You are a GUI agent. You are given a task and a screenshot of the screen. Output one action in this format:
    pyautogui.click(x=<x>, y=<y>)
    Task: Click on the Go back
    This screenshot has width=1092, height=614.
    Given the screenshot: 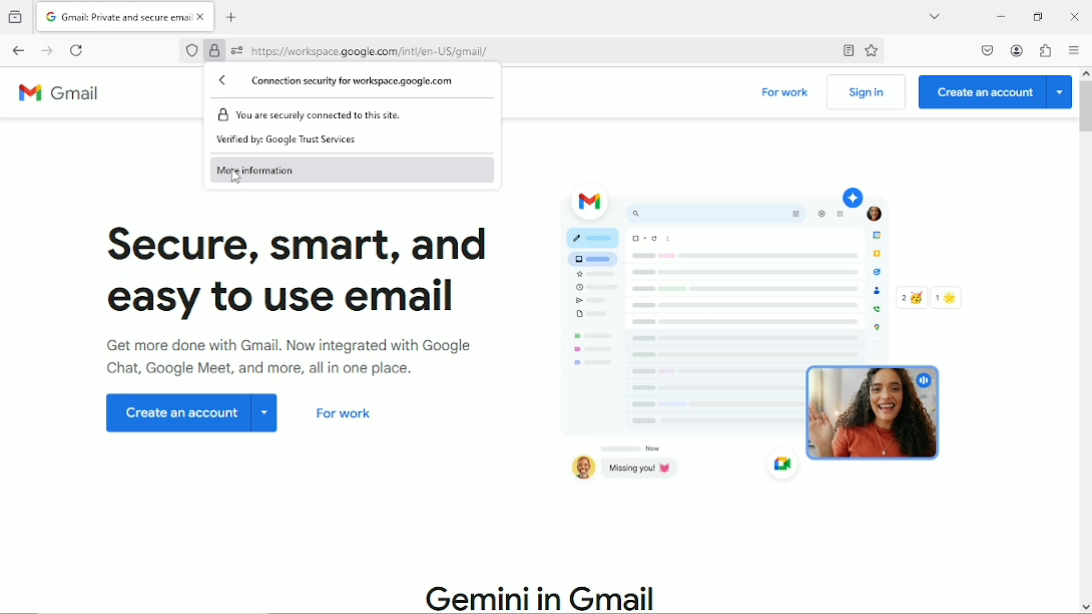 What is the action you would take?
    pyautogui.click(x=19, y=49)
    